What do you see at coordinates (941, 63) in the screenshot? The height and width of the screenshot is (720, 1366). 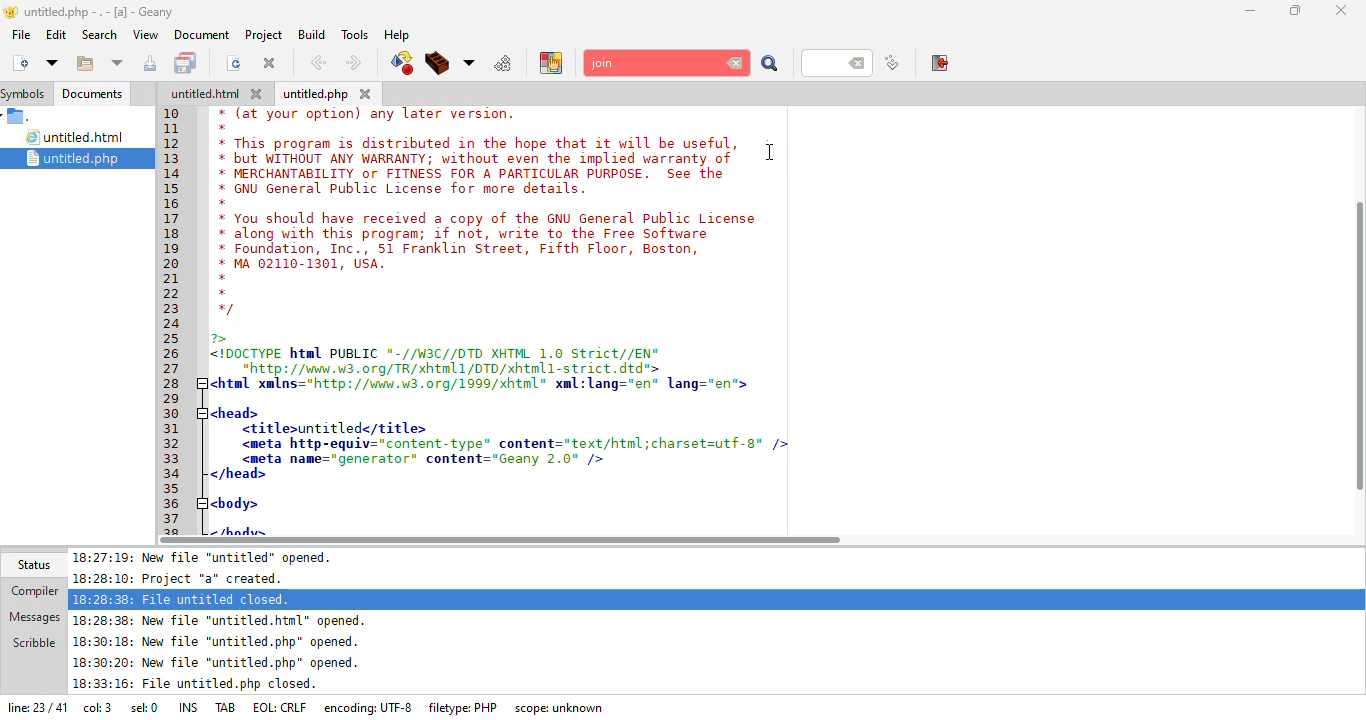 I see `exit` at bounding box center [941, 63].